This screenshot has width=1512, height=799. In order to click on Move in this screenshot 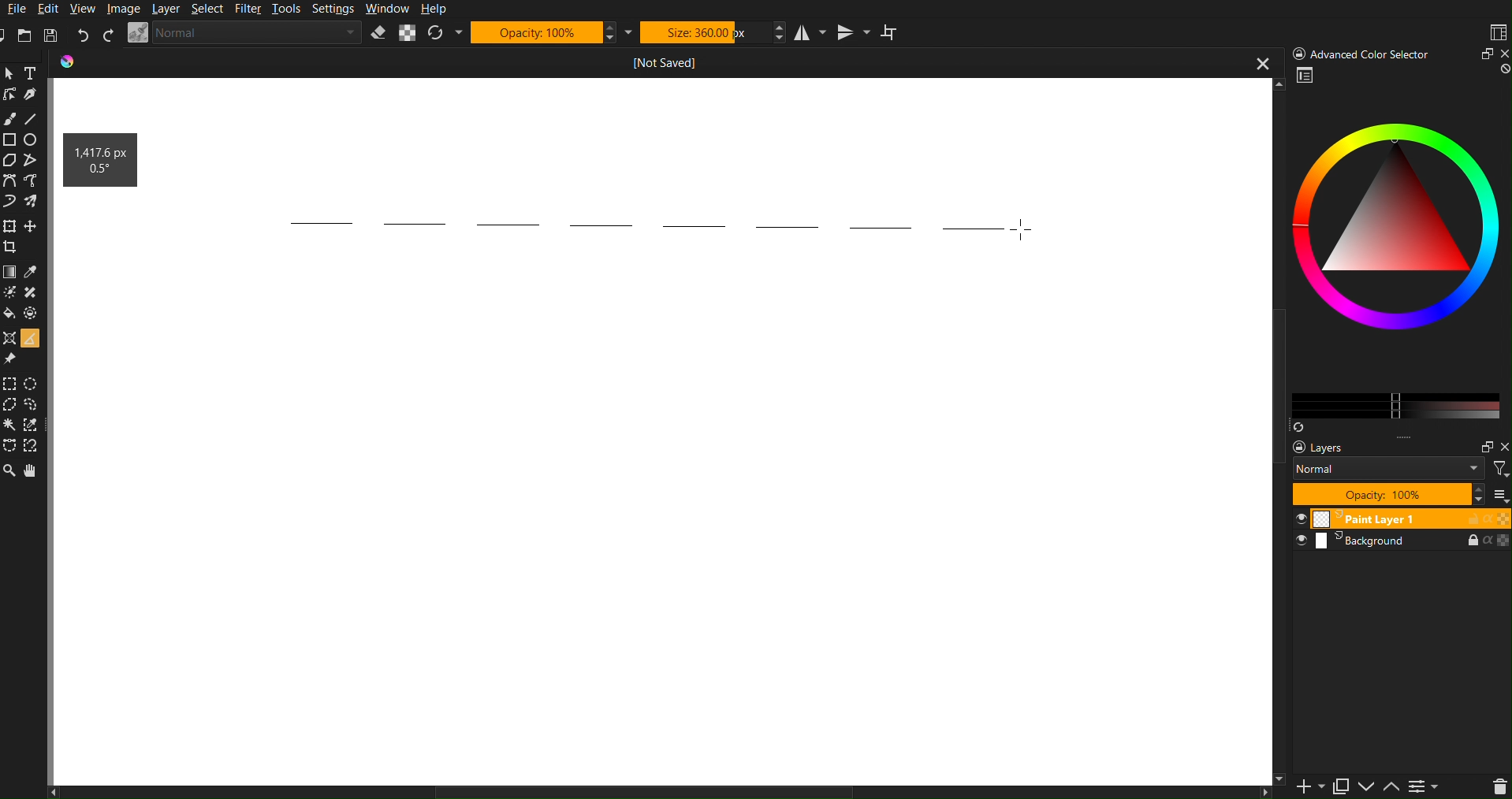, I will do `click(34, 225)`.